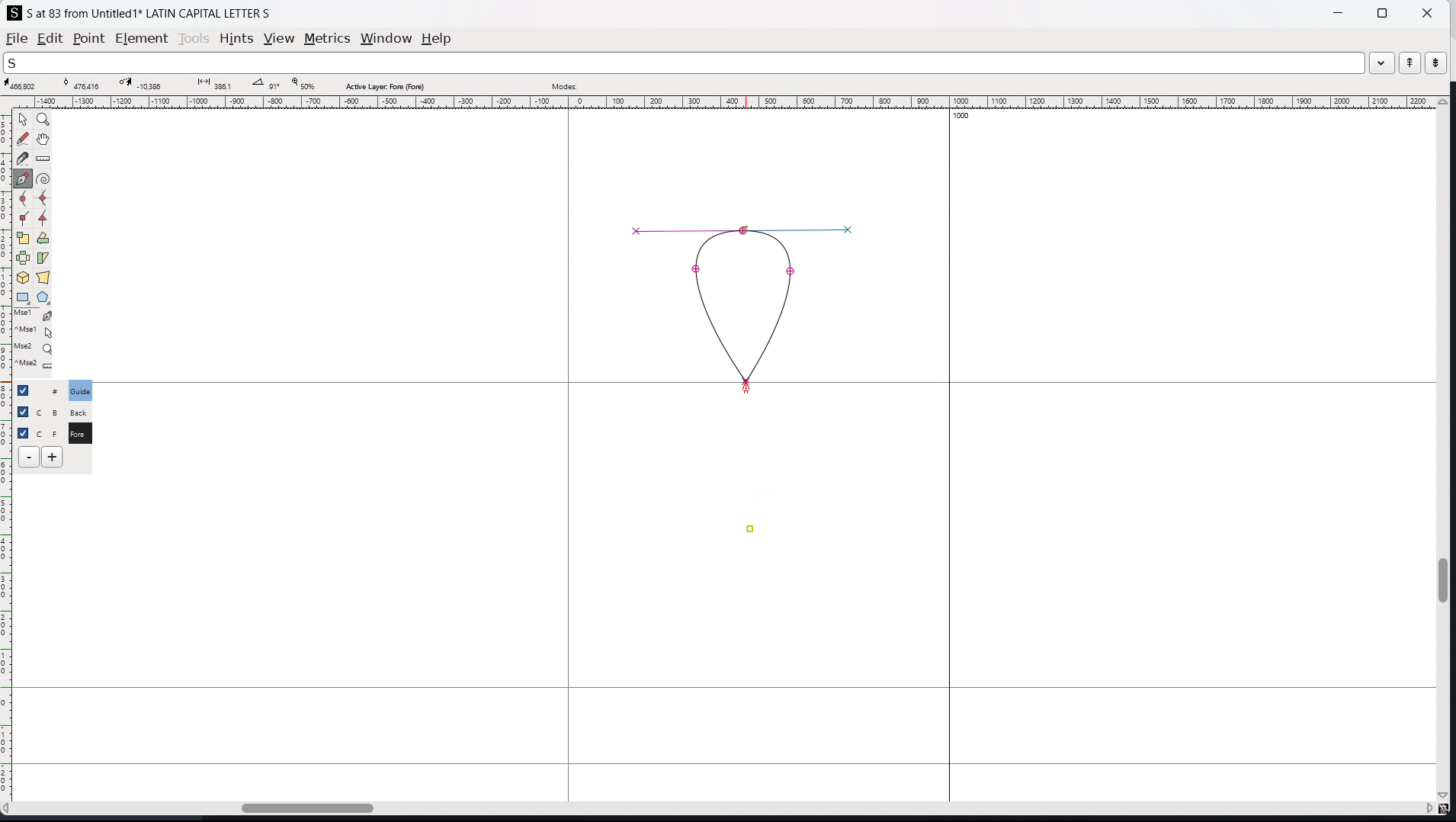 This screenshot has width=1456, height=822. I want to click on window, so click(386, 39).